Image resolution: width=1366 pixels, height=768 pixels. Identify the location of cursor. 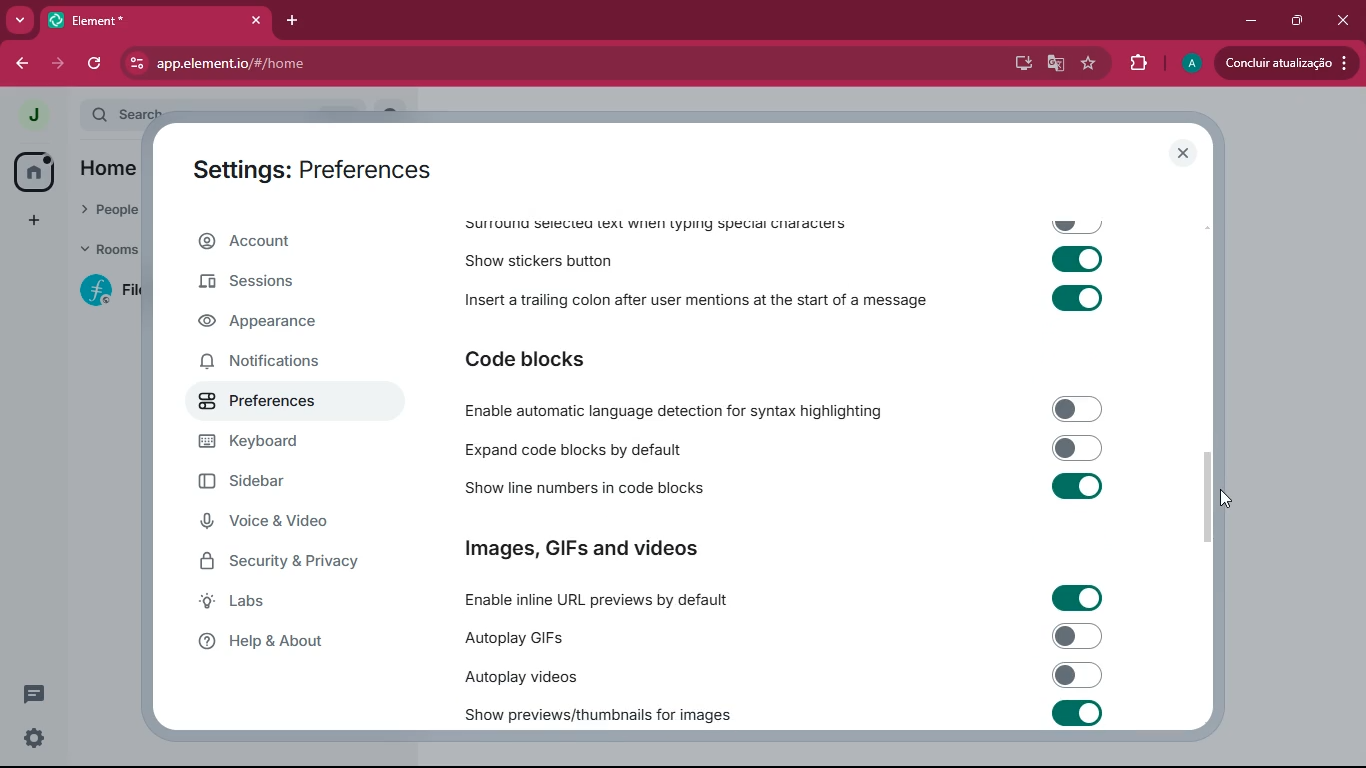
(1214, 498).